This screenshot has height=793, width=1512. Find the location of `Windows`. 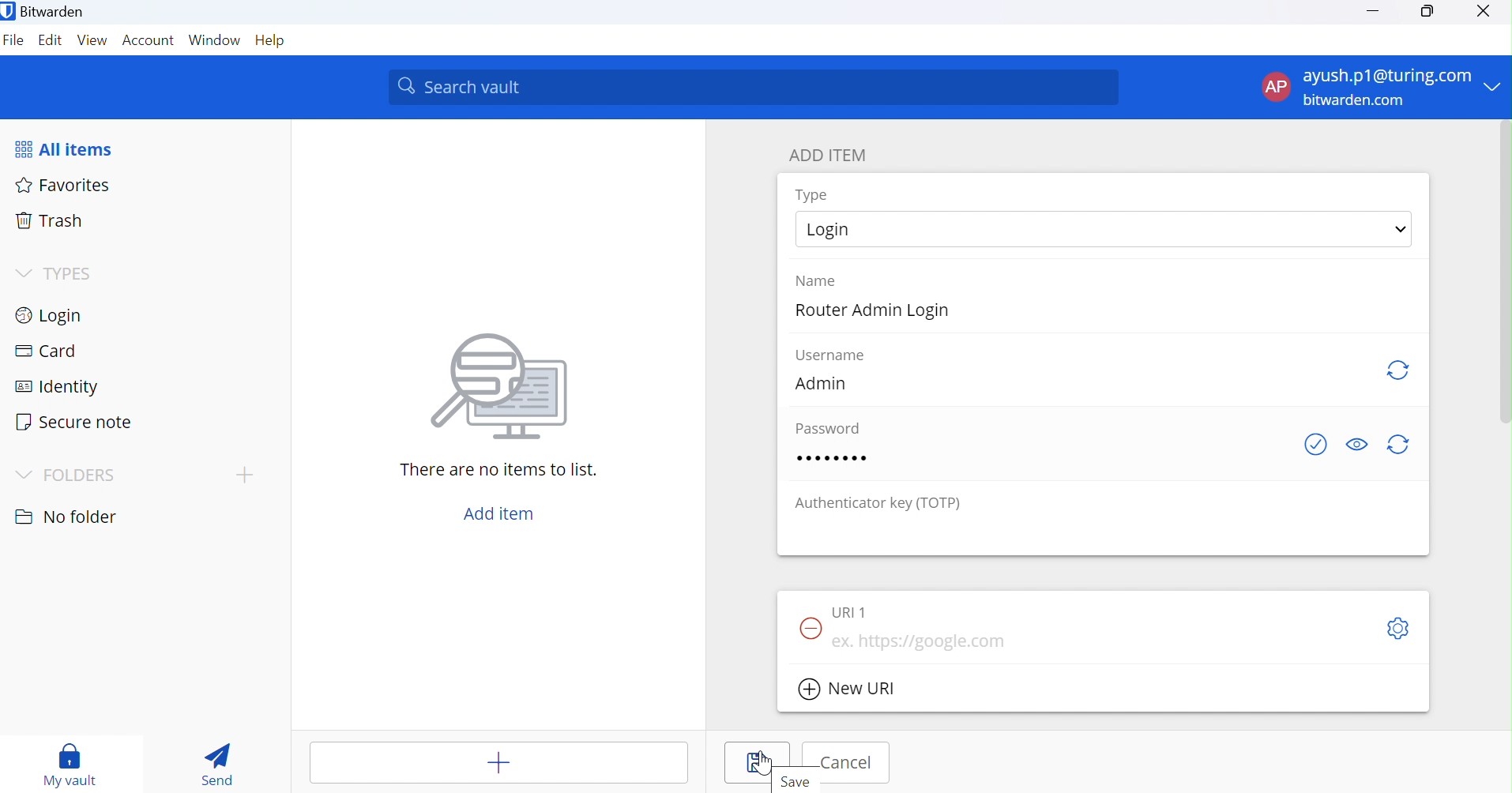

Windows is located at coordinates (215, 43).